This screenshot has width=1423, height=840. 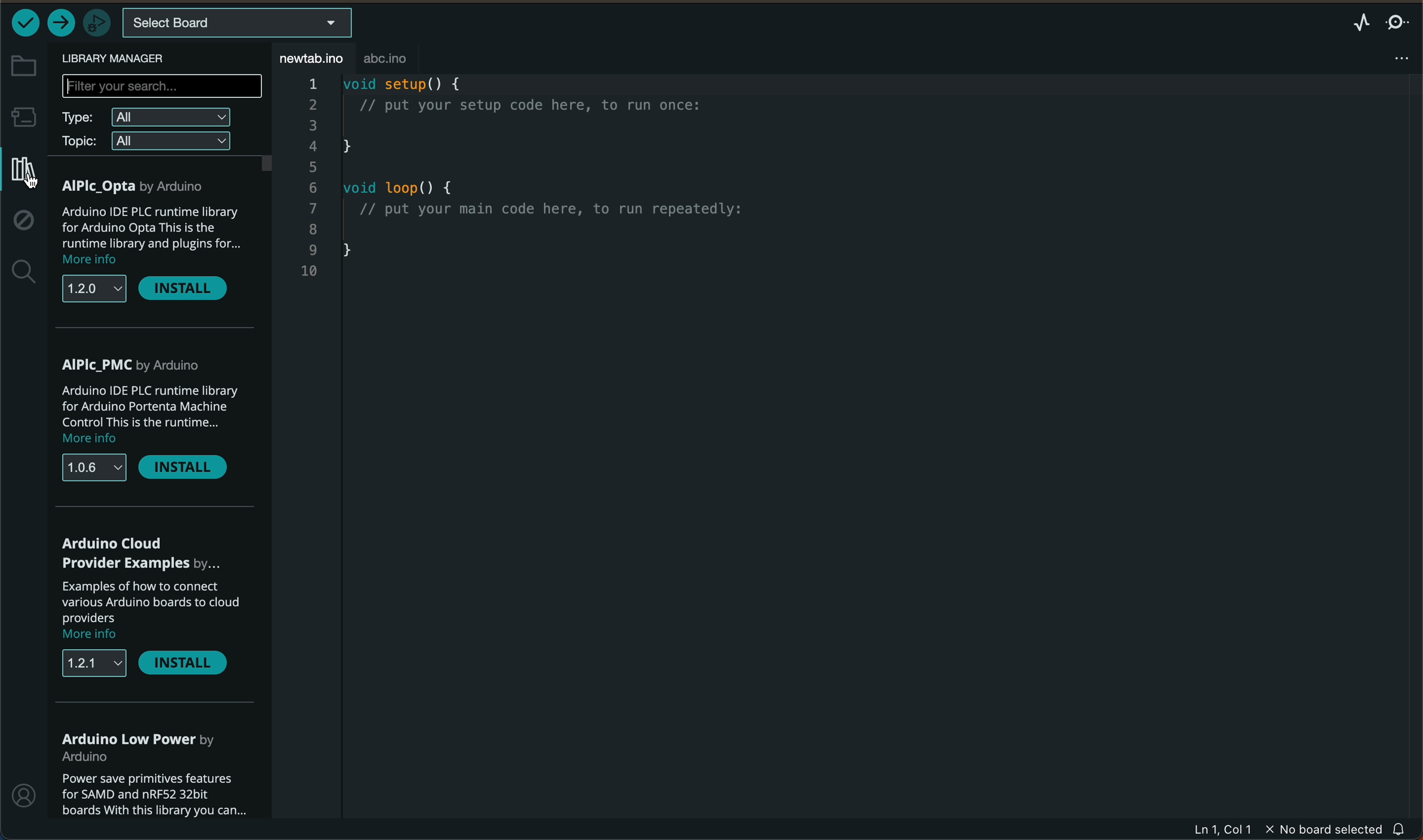 What do you see at coordinates (532, 183) in the screenshot?
I see `code` at bounding box center [532, 183].